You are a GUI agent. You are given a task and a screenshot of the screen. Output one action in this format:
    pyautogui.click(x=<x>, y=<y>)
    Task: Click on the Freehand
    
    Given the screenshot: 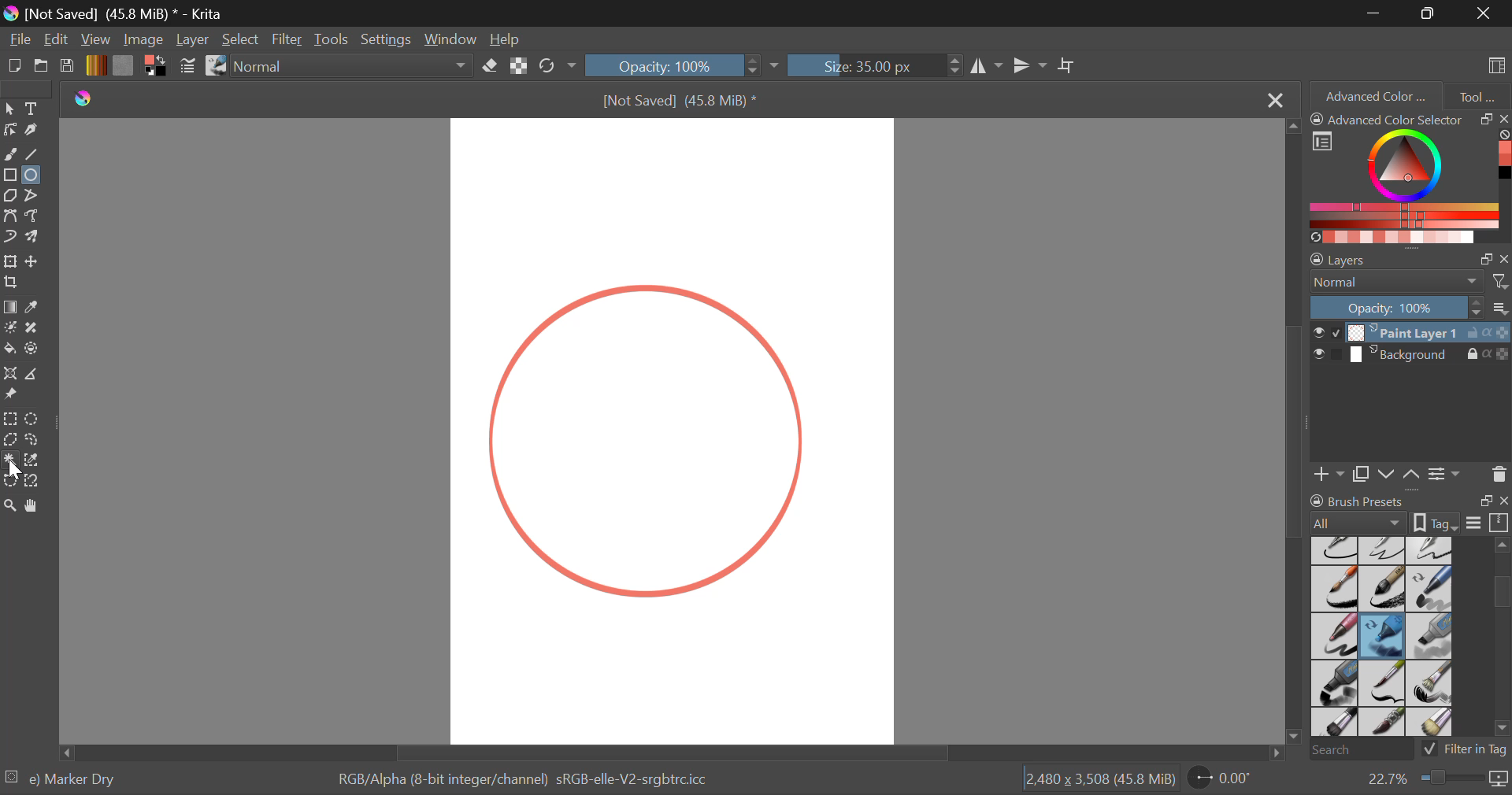 What is the action you would take?
    pyautogui.click(x=11, y=154)
    